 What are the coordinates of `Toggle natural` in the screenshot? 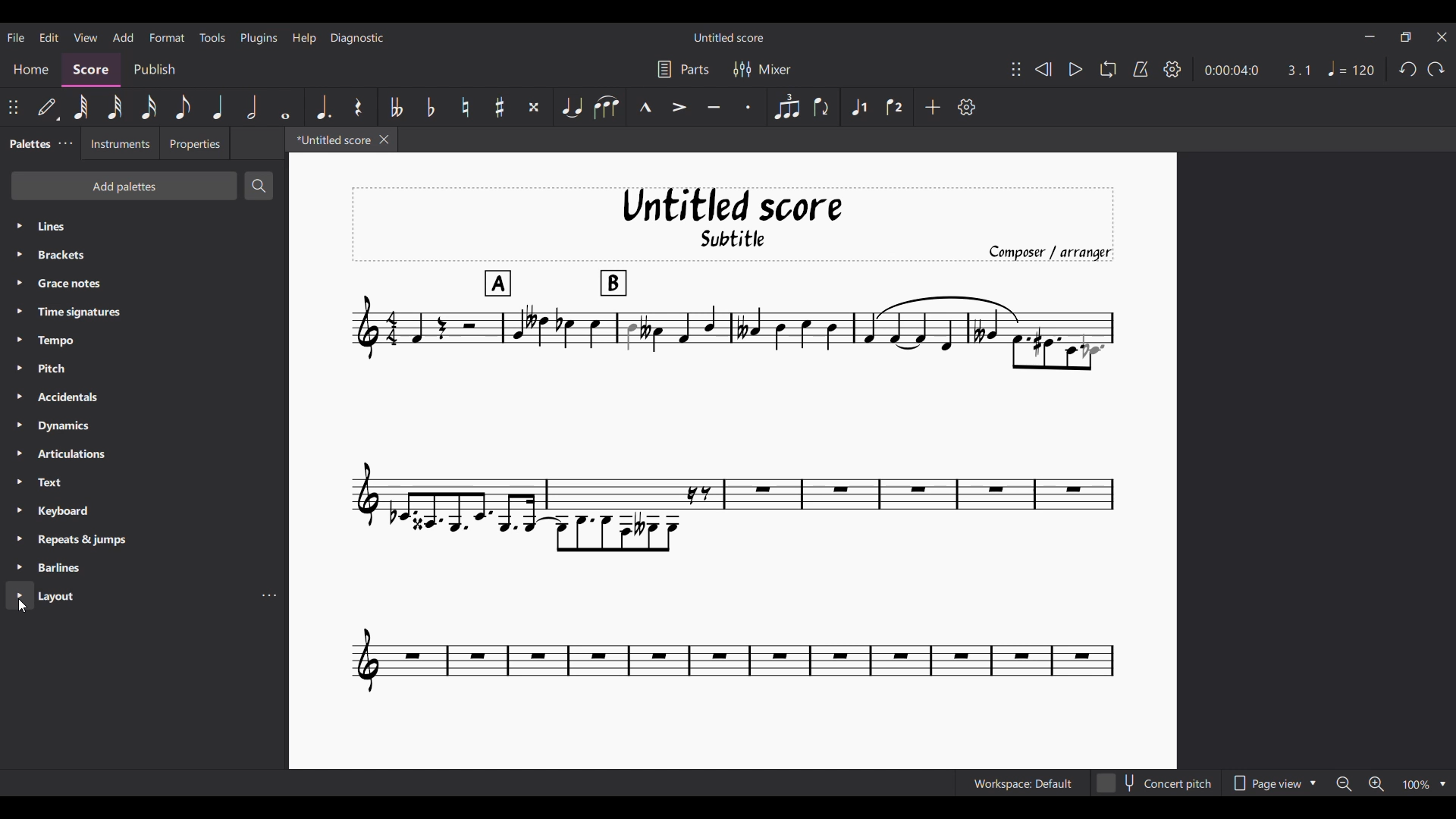 It's located at (466, 107).